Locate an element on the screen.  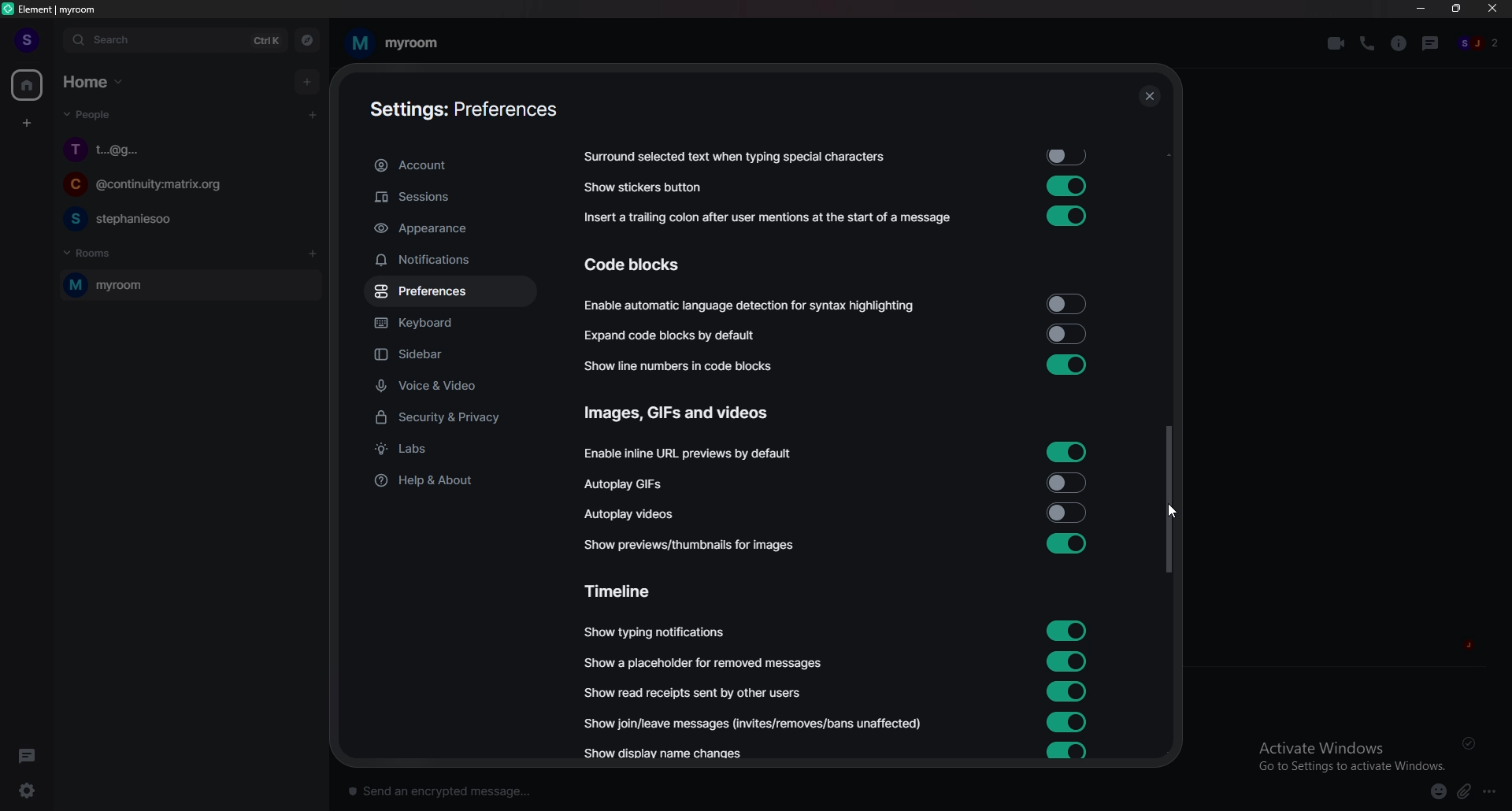
People is located at coordinates (84, 117).